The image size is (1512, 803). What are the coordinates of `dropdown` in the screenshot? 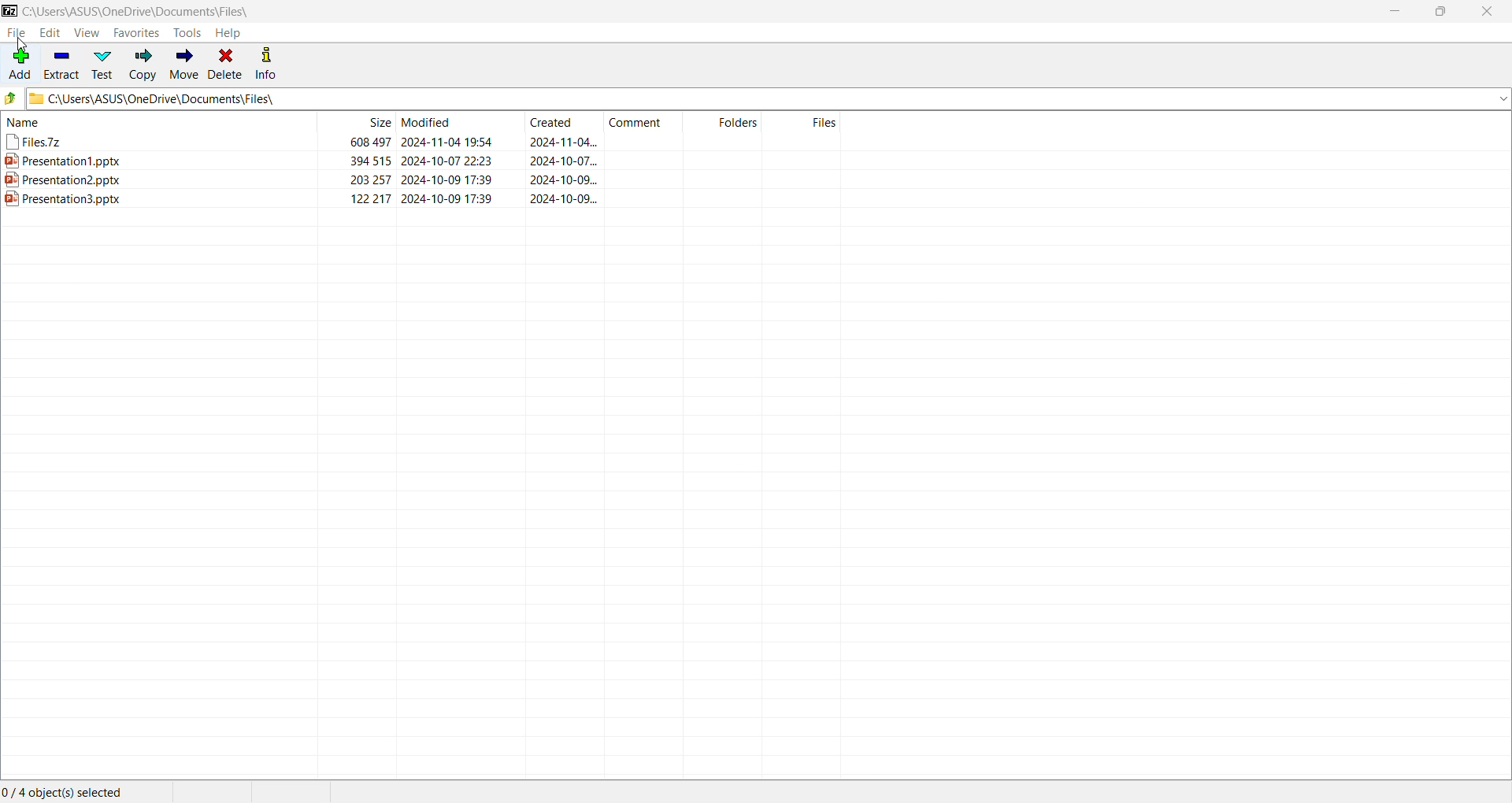 It's located at (1495, 99).